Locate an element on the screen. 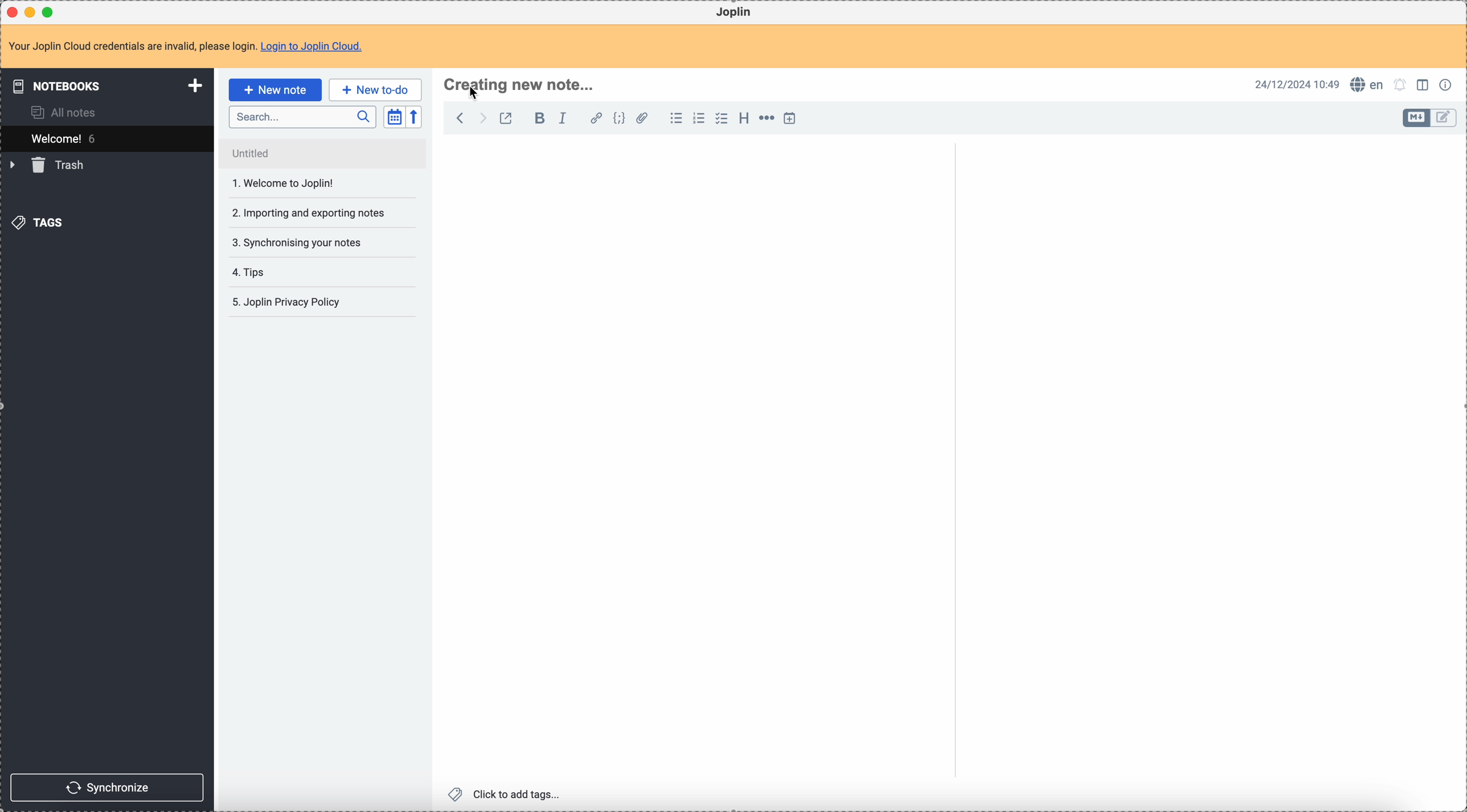 This screenshot has width=1467, height=812. date and hour is located at coordinates (1297, 84).